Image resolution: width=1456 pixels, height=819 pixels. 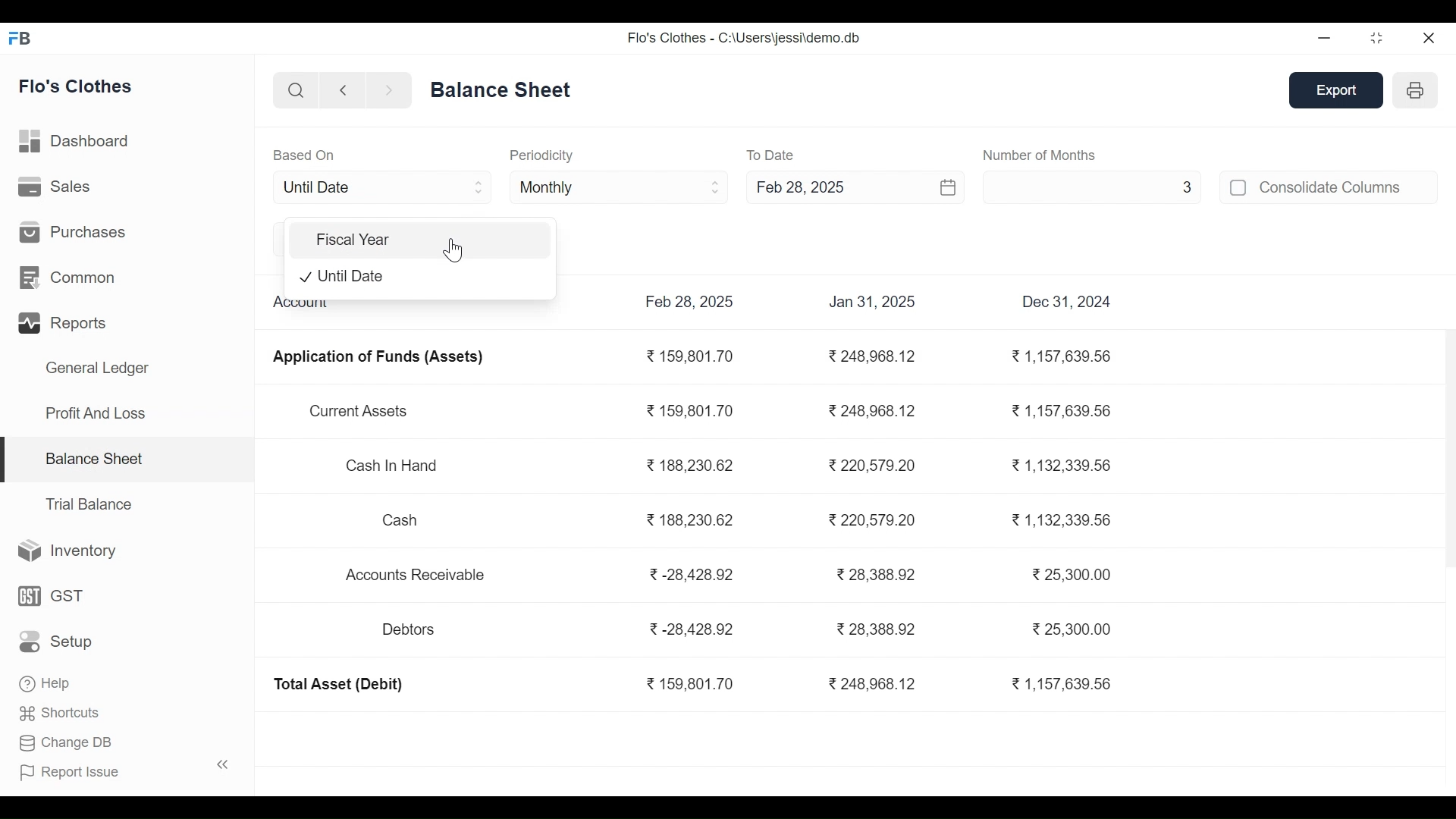 What do you see at coordinates (1092, 186) in the screenshot?
I see `3` at bounding box center [1092, 186].